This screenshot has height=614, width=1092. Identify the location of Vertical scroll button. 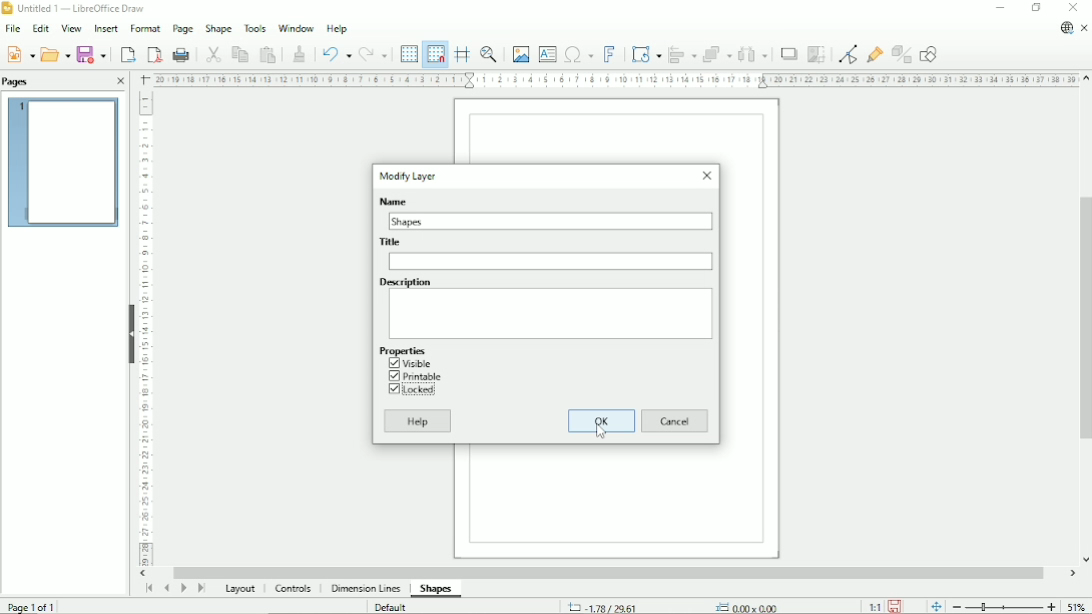
(1085, 79).